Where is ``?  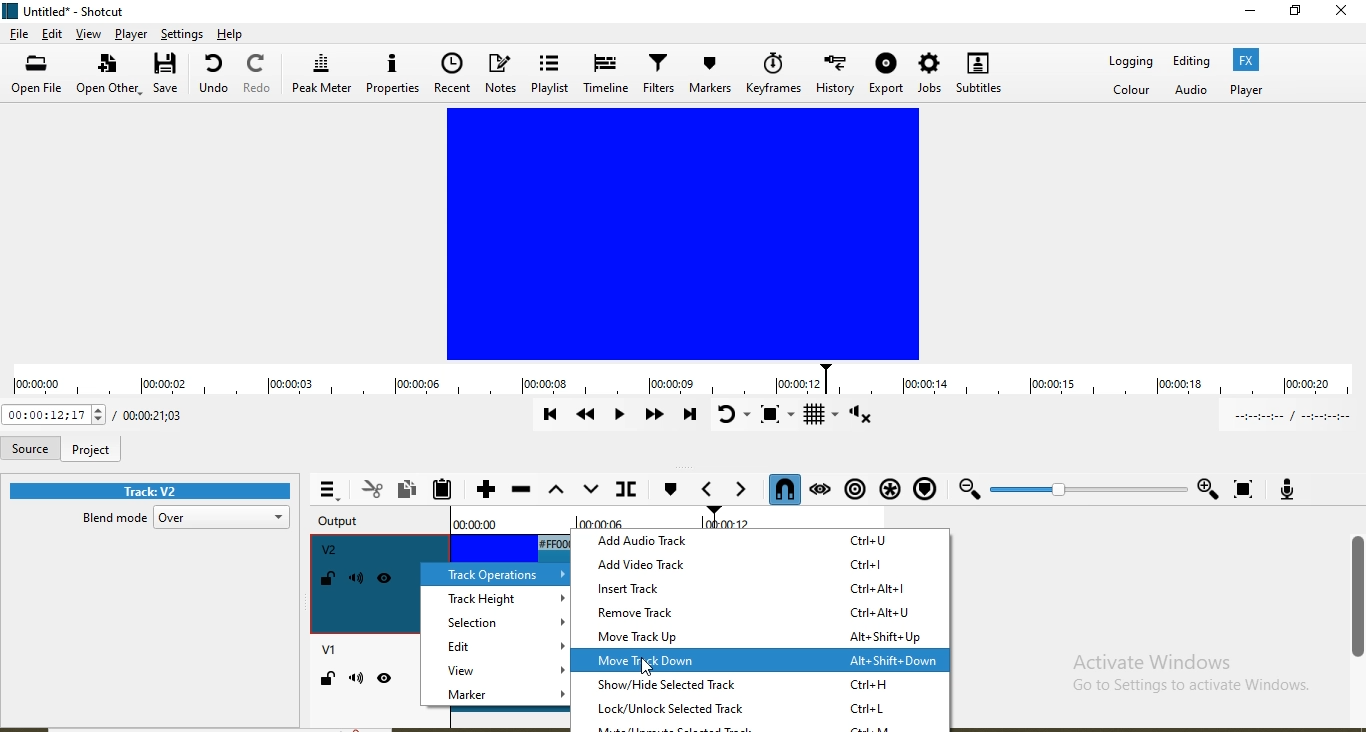
 is located at coordinates (332, 489).